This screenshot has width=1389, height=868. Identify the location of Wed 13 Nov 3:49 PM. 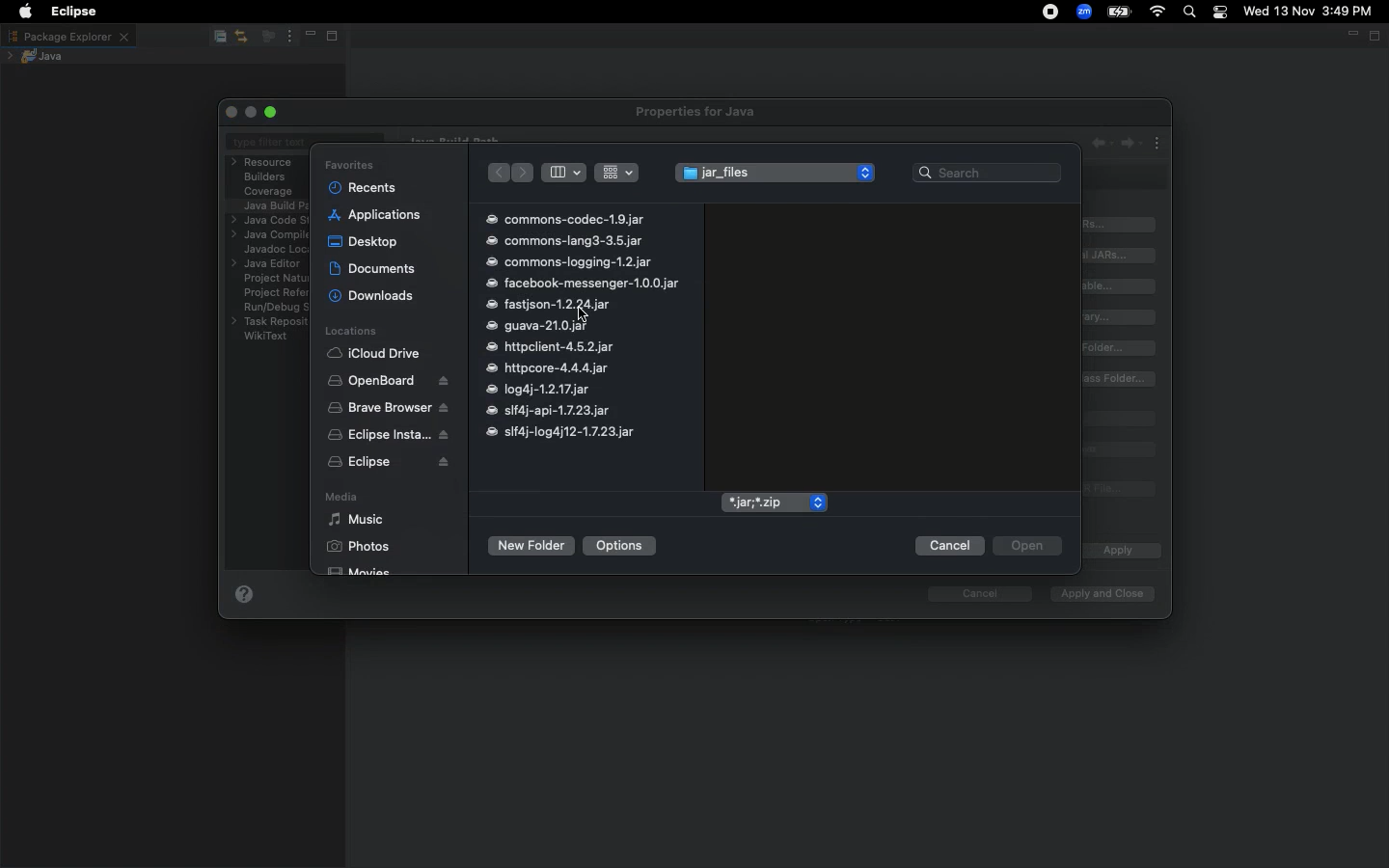
(1309, 10).